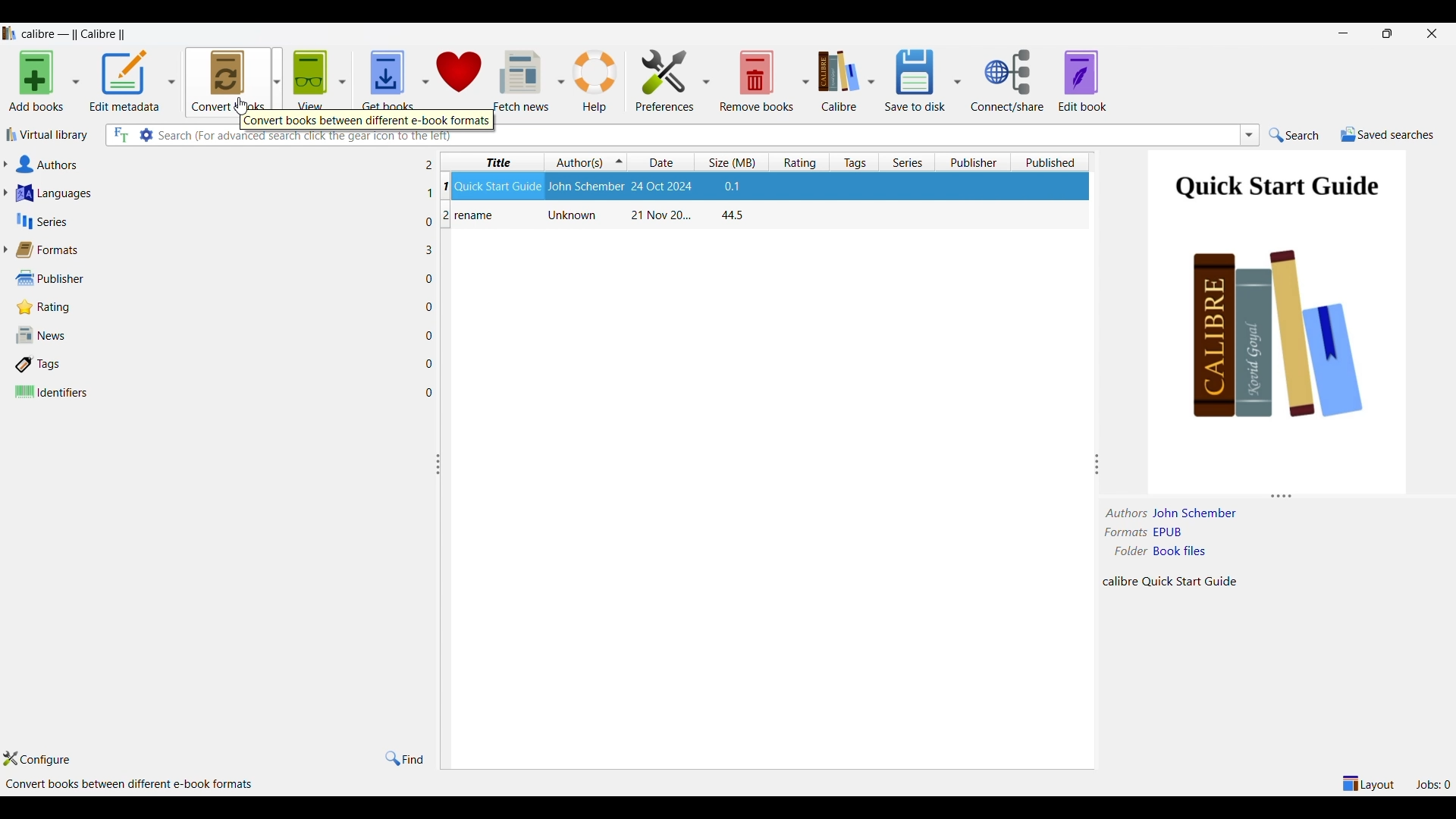  What do you see at coordinates (1176, 580) in the screenshot?
I see `Details about file content` at bounding box center [1176, 580].